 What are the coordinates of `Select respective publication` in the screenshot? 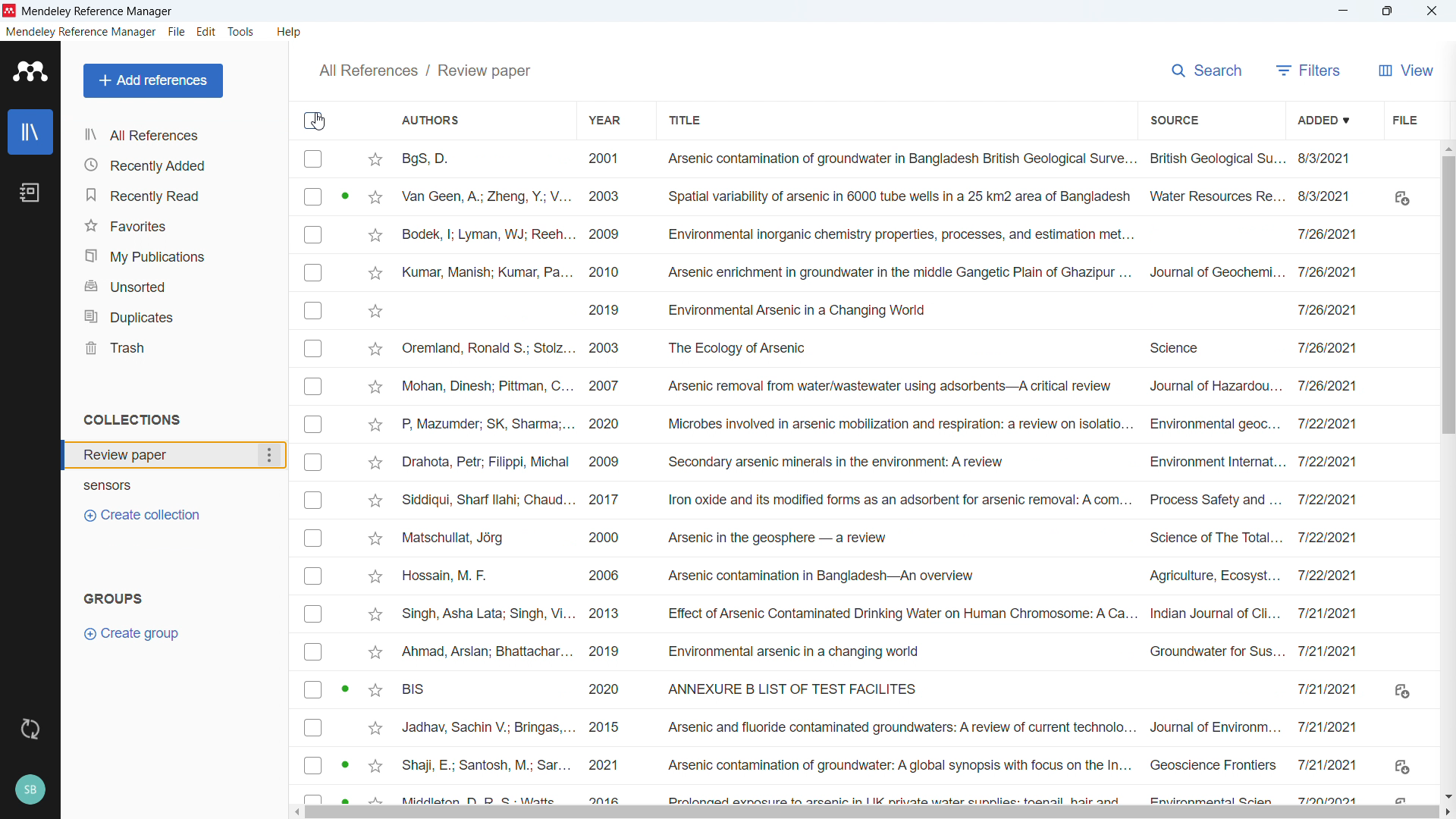 It's located at (313, 652).